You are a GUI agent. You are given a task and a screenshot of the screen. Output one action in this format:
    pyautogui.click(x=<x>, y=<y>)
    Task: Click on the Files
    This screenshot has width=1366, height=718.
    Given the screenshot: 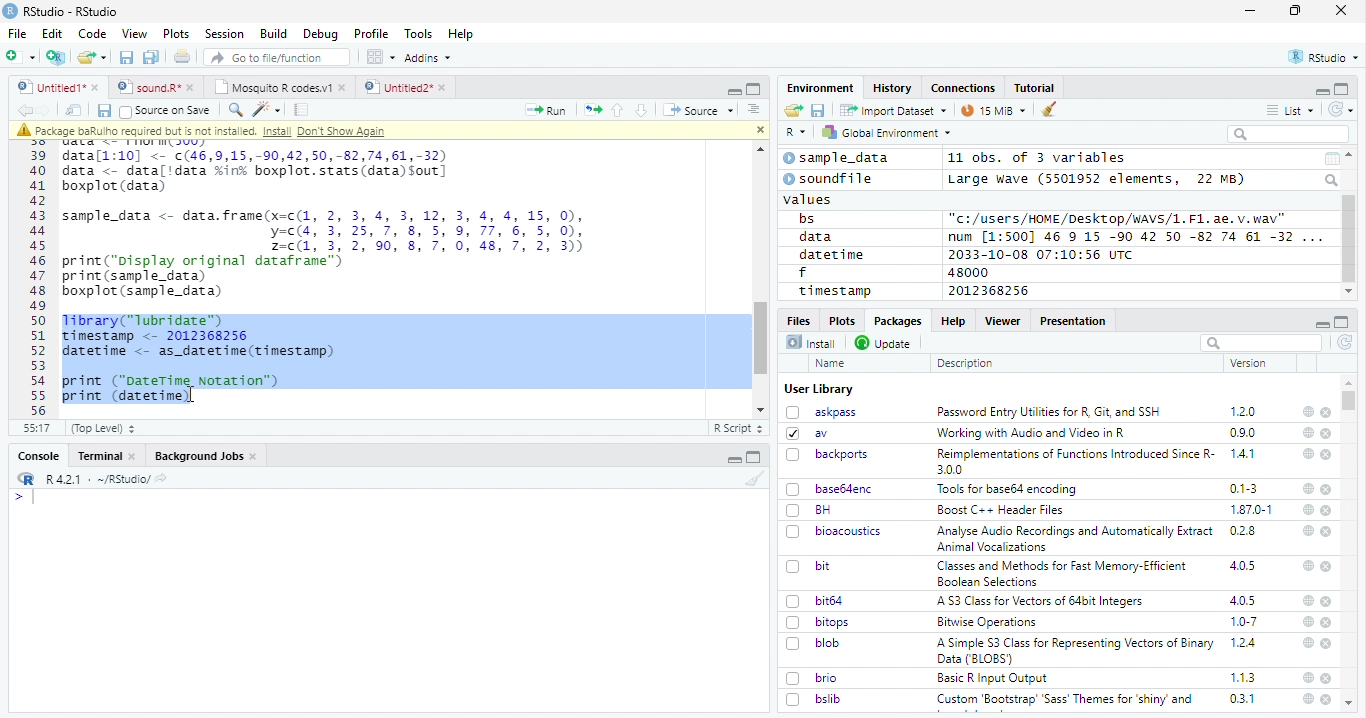 What is the action you would take?
    pyautogui.click(x=800, y=319)
    